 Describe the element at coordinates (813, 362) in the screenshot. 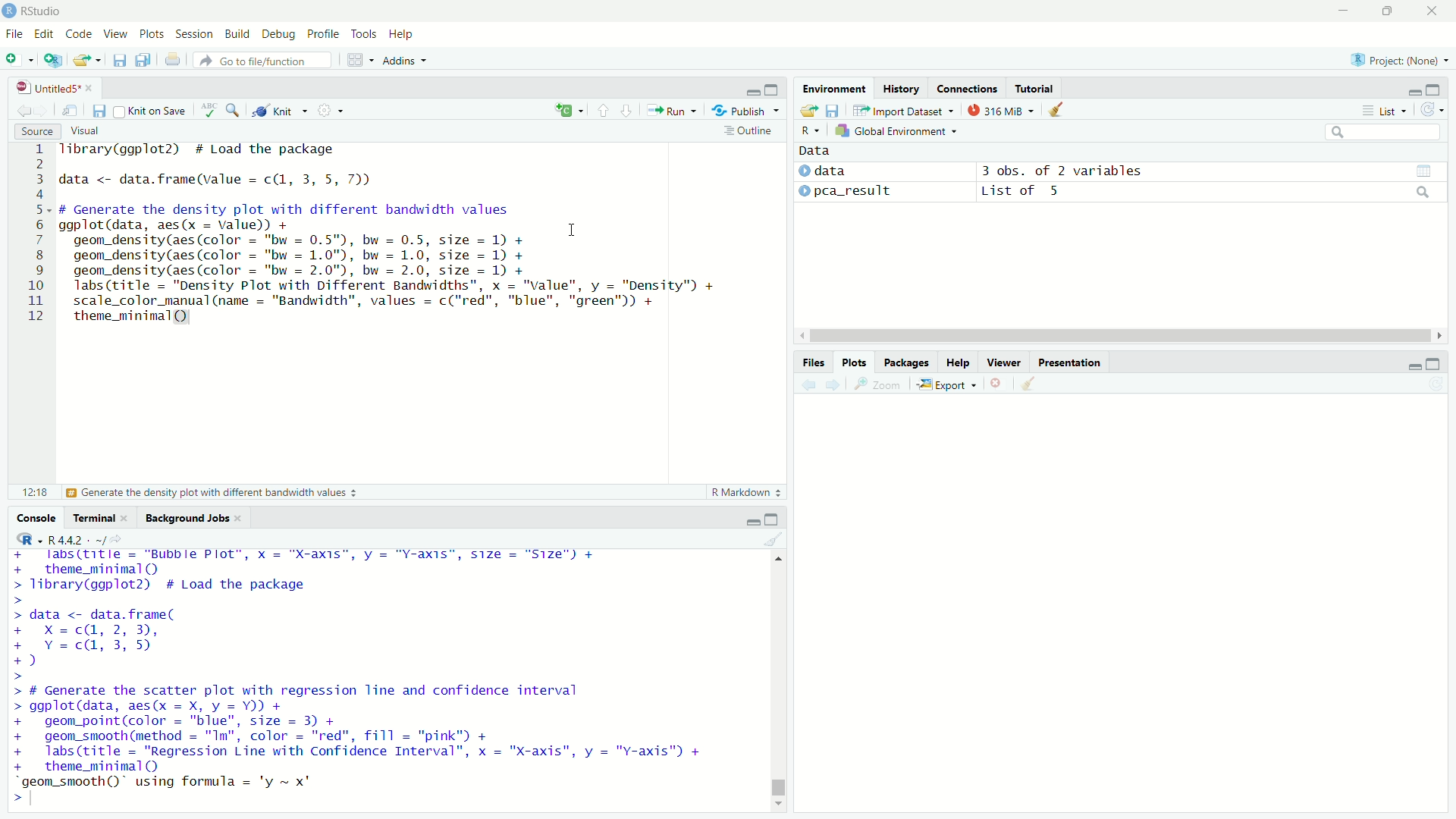

I see `Files` at that location.